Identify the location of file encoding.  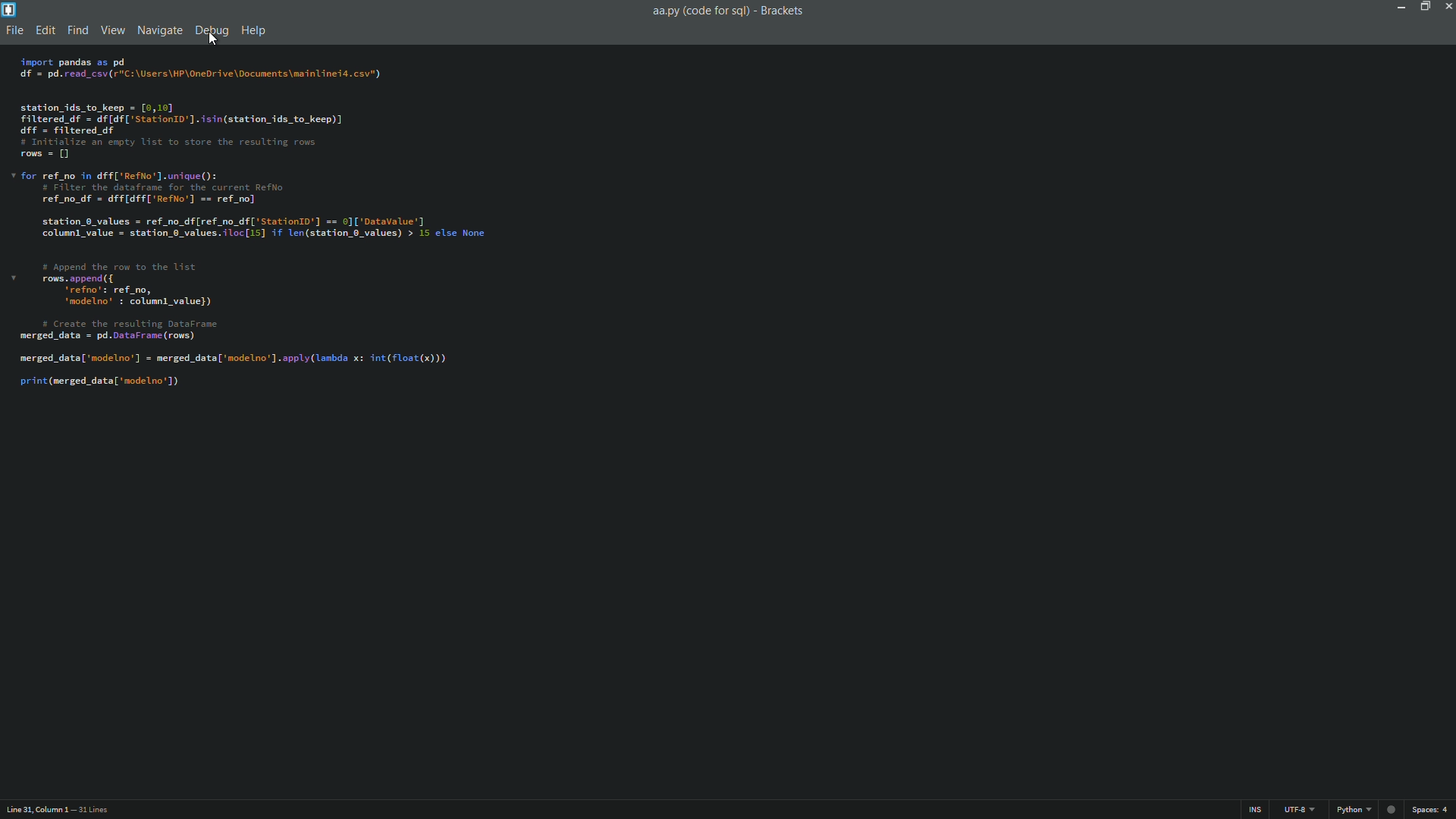
(1298, 811).